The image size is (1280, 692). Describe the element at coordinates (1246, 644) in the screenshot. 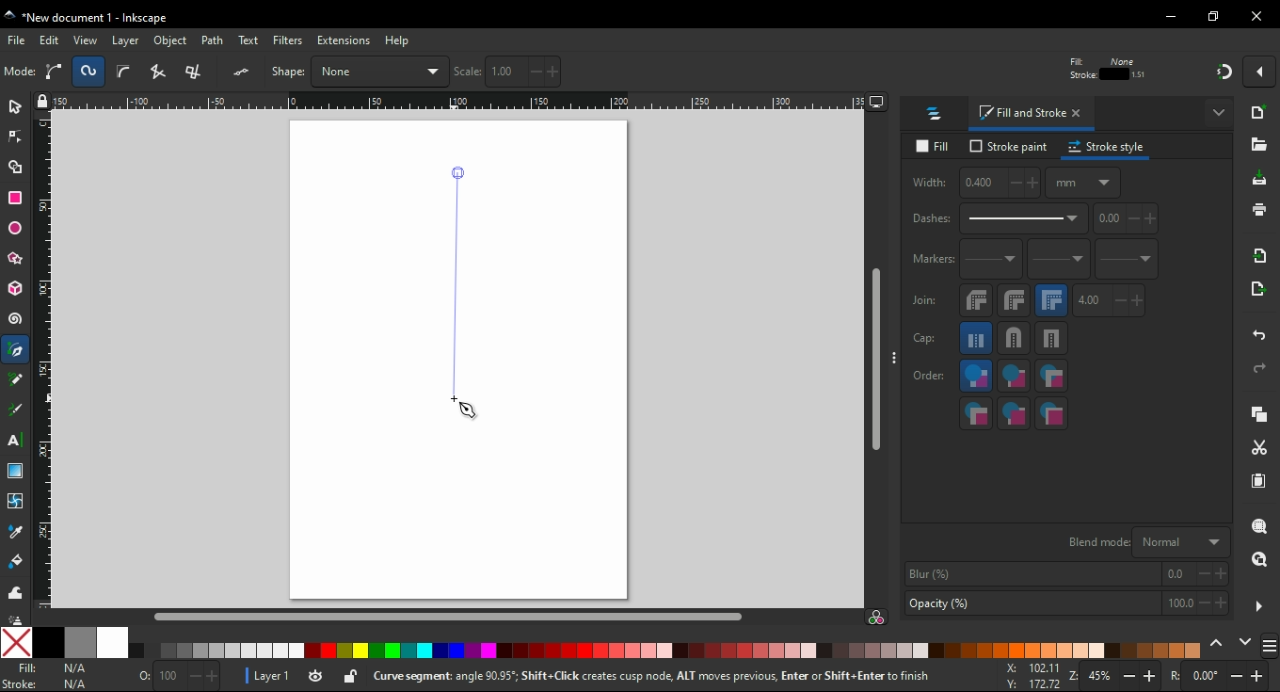

I see `next ` at that location.